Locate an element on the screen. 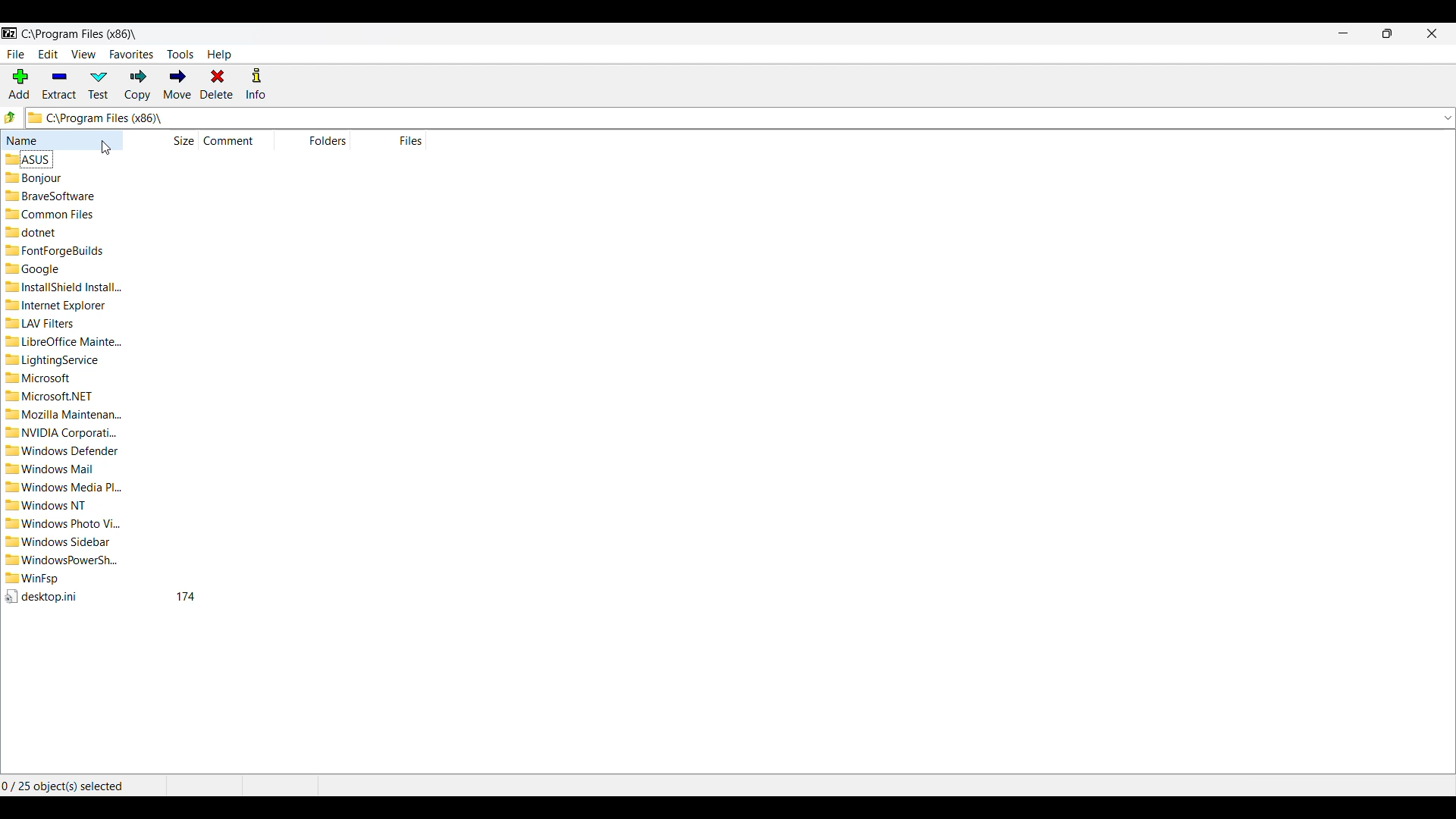 The height and width of the screenshot is (819, 1456). BraveSoftware is located at coordinates (51, 197).